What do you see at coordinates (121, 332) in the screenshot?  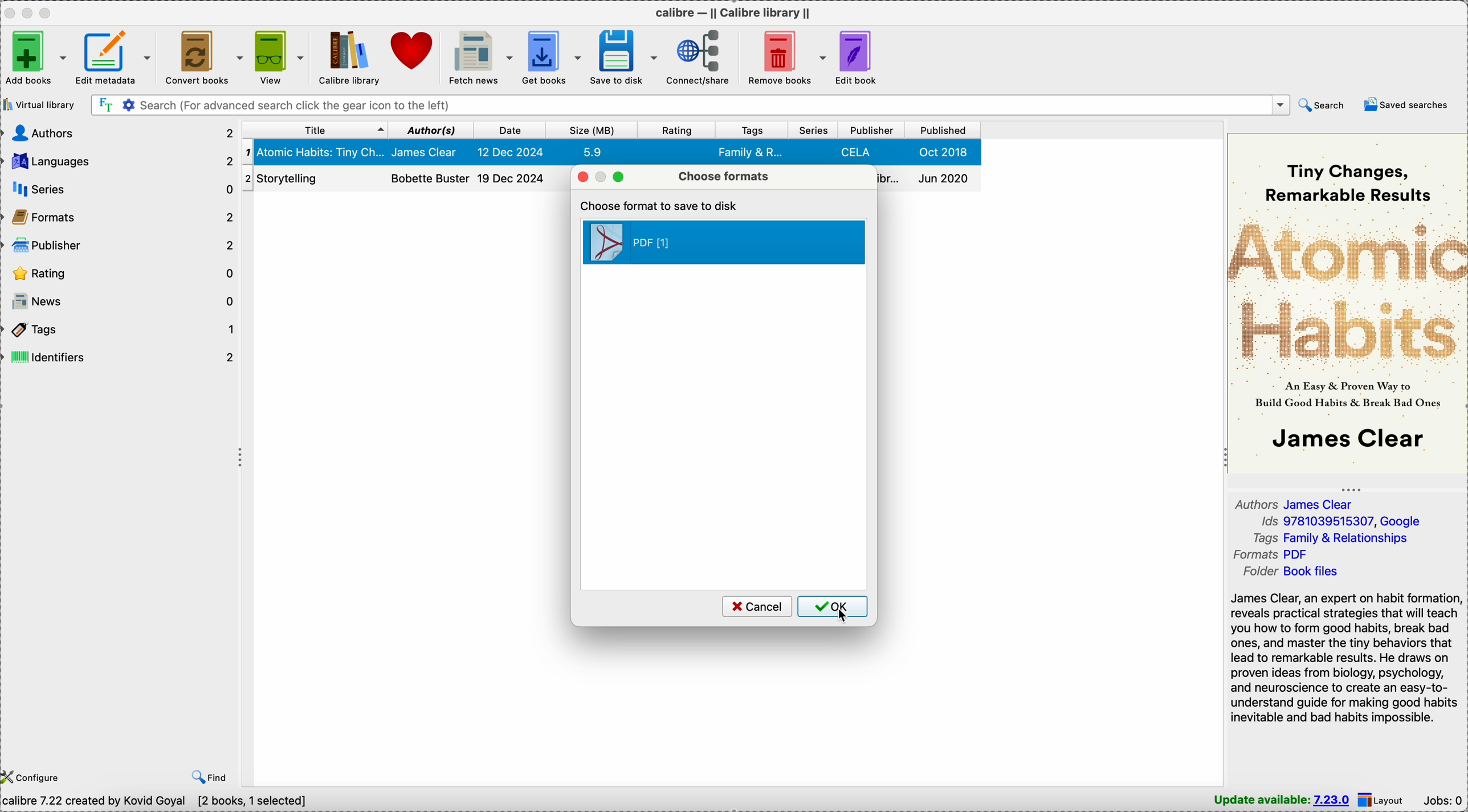 I see `tags` at bounding box center [121, 332].